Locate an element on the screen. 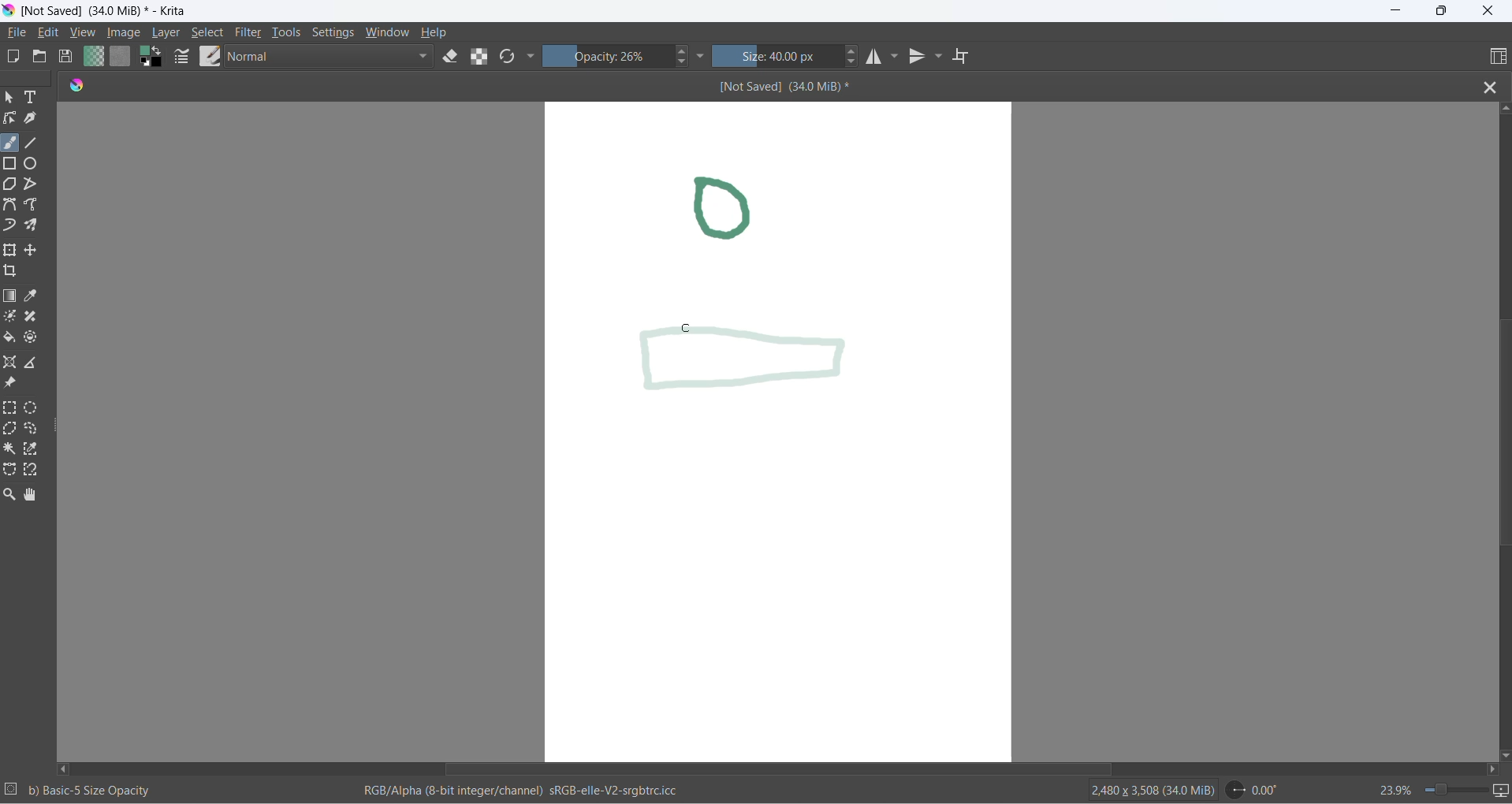 This screenshot has height=804, width=1512. view is located at coordinates (84, 32).